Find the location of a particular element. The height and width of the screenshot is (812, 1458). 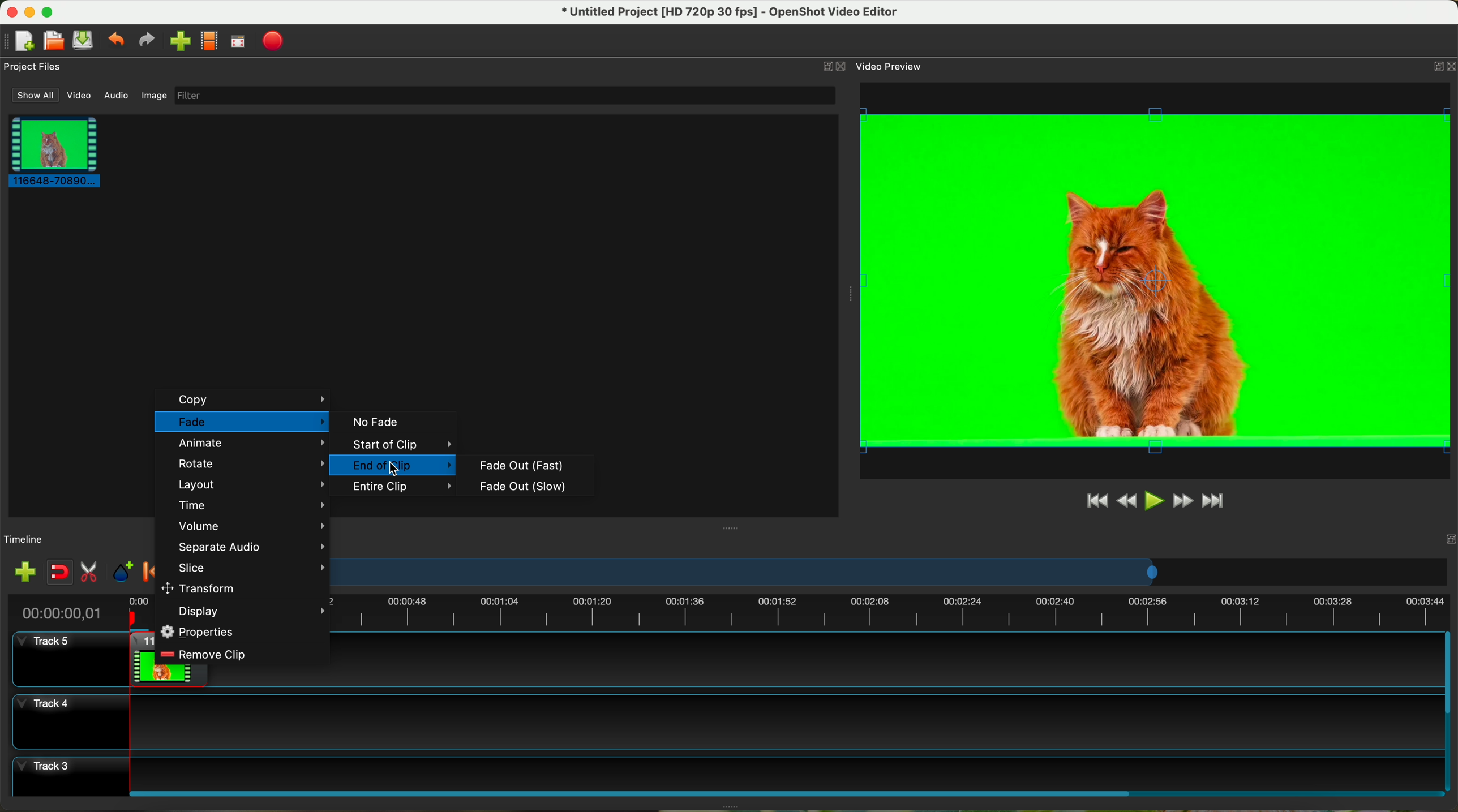

remove clip is located at coordinates (205, 654).